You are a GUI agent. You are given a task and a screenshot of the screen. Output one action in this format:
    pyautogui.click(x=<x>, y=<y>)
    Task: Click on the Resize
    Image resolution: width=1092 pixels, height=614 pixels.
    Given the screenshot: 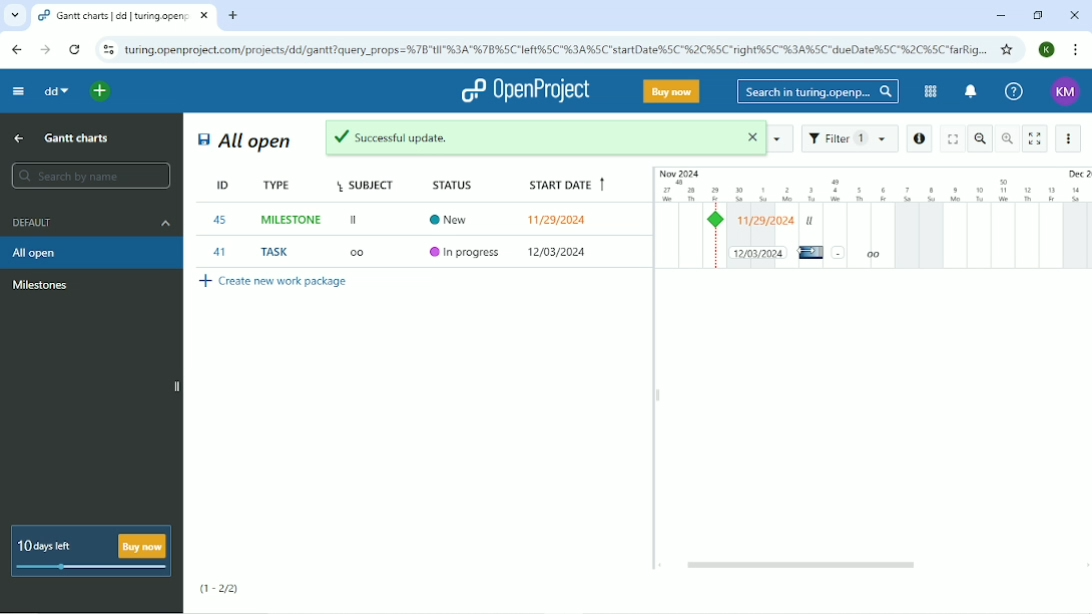 What is the action you would take?
    pyautogui.click(x=658, y=395)
    